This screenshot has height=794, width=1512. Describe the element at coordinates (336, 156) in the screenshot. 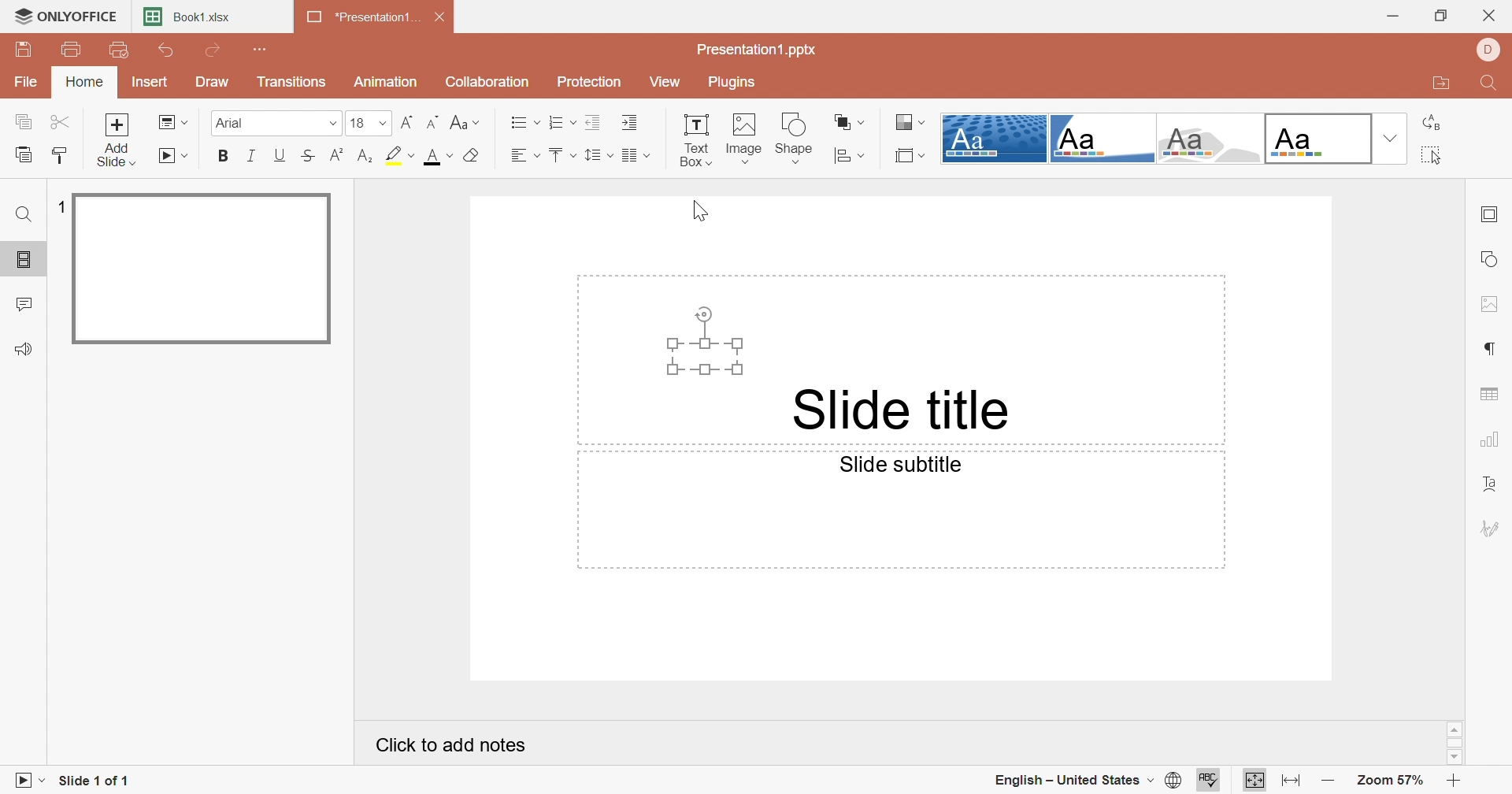

I see `Superscript` at that location.